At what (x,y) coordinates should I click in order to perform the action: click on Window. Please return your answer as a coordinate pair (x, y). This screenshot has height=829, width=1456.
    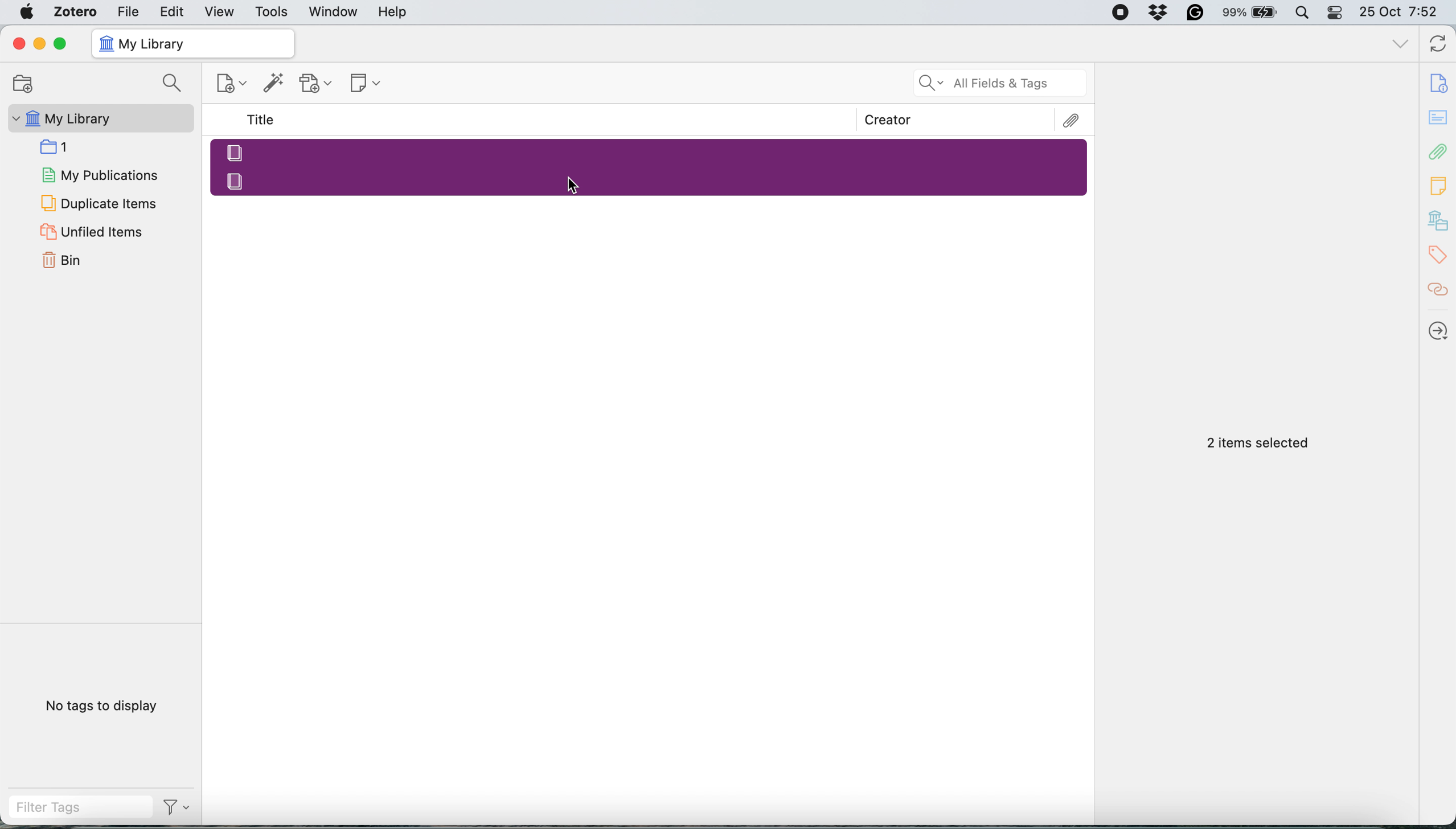
    Looking at the image, I should click on (334, 12).